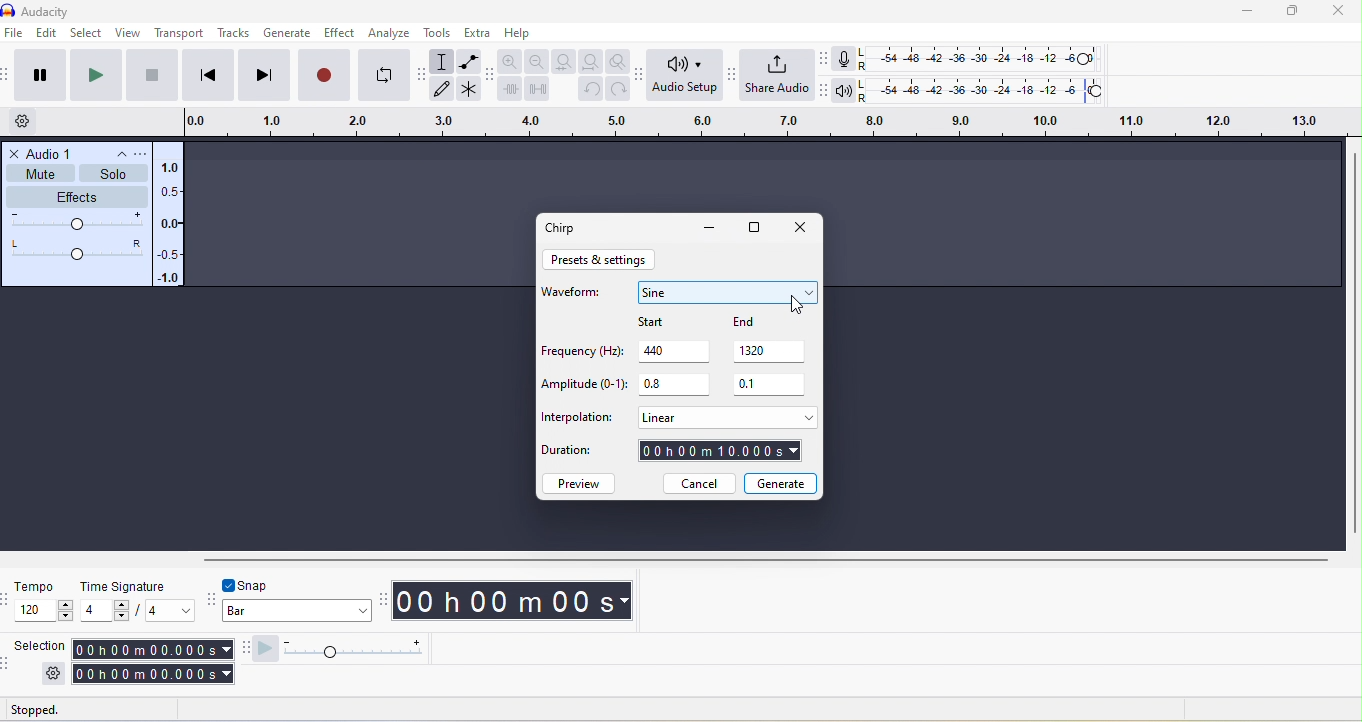 The height and width of the screenshot is (722, 1362). I want to click on file, so click(16, 34).